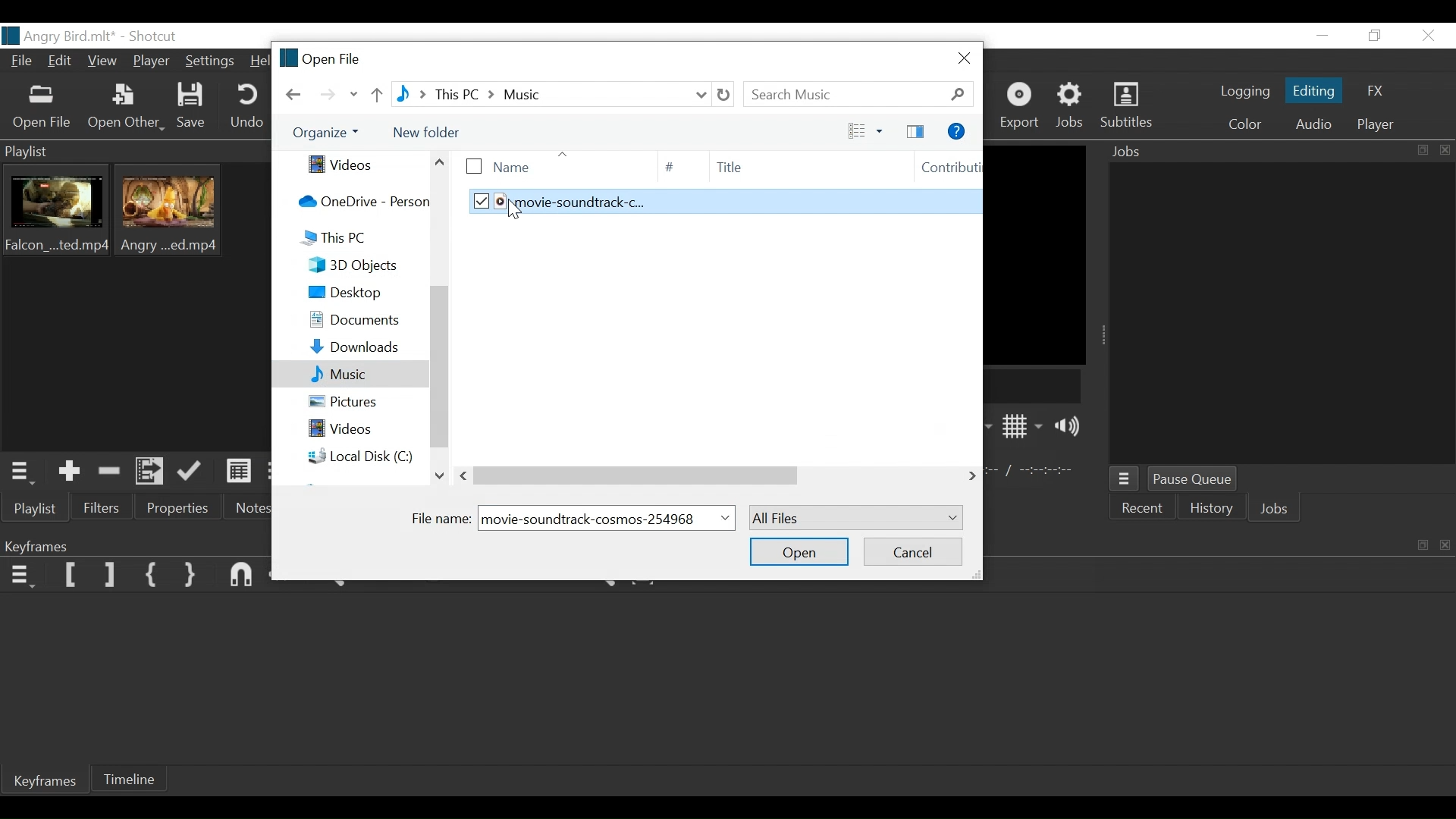 This screenshot has width=1456, height=819. Describe the element at coordinates (859, 130) in the screenshot. I see `View` at that location.